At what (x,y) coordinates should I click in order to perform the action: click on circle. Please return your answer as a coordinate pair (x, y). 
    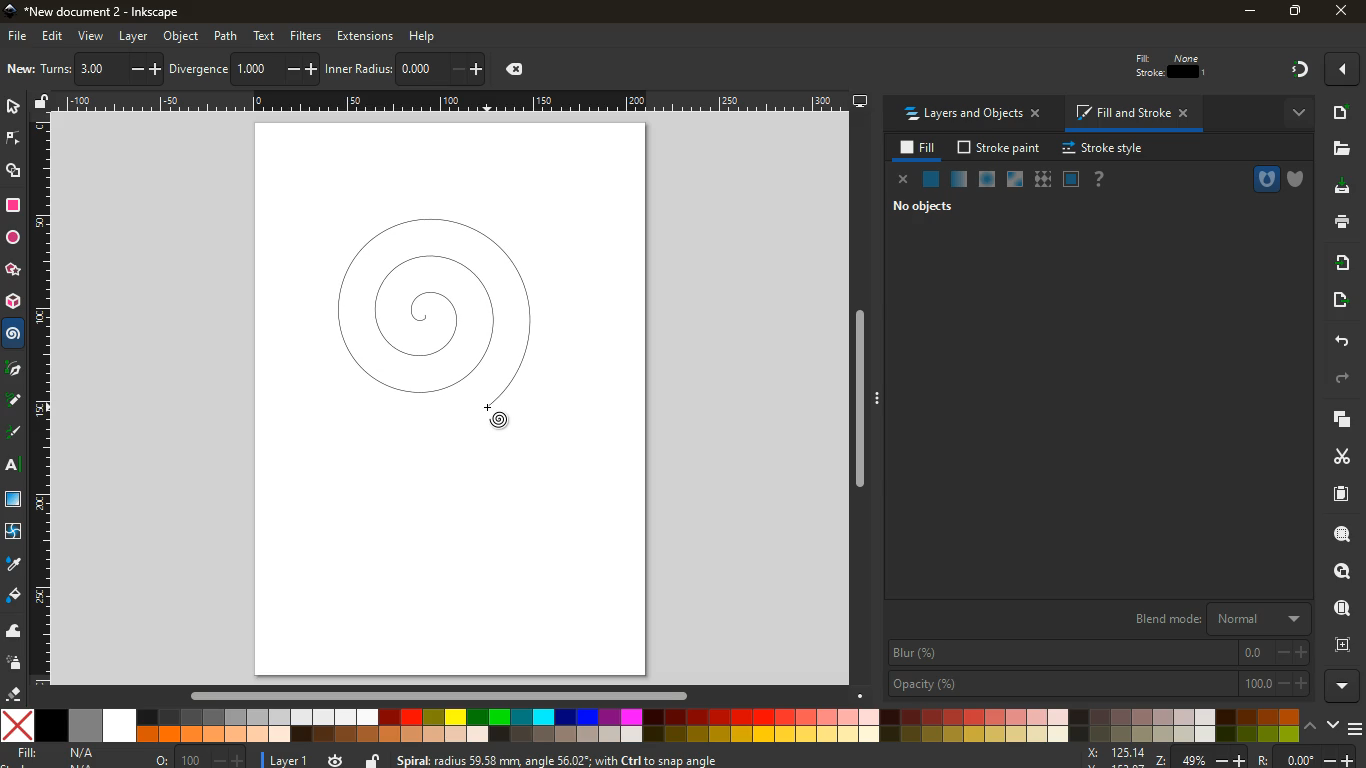
    Looking at the image, I should click on (15, 240).